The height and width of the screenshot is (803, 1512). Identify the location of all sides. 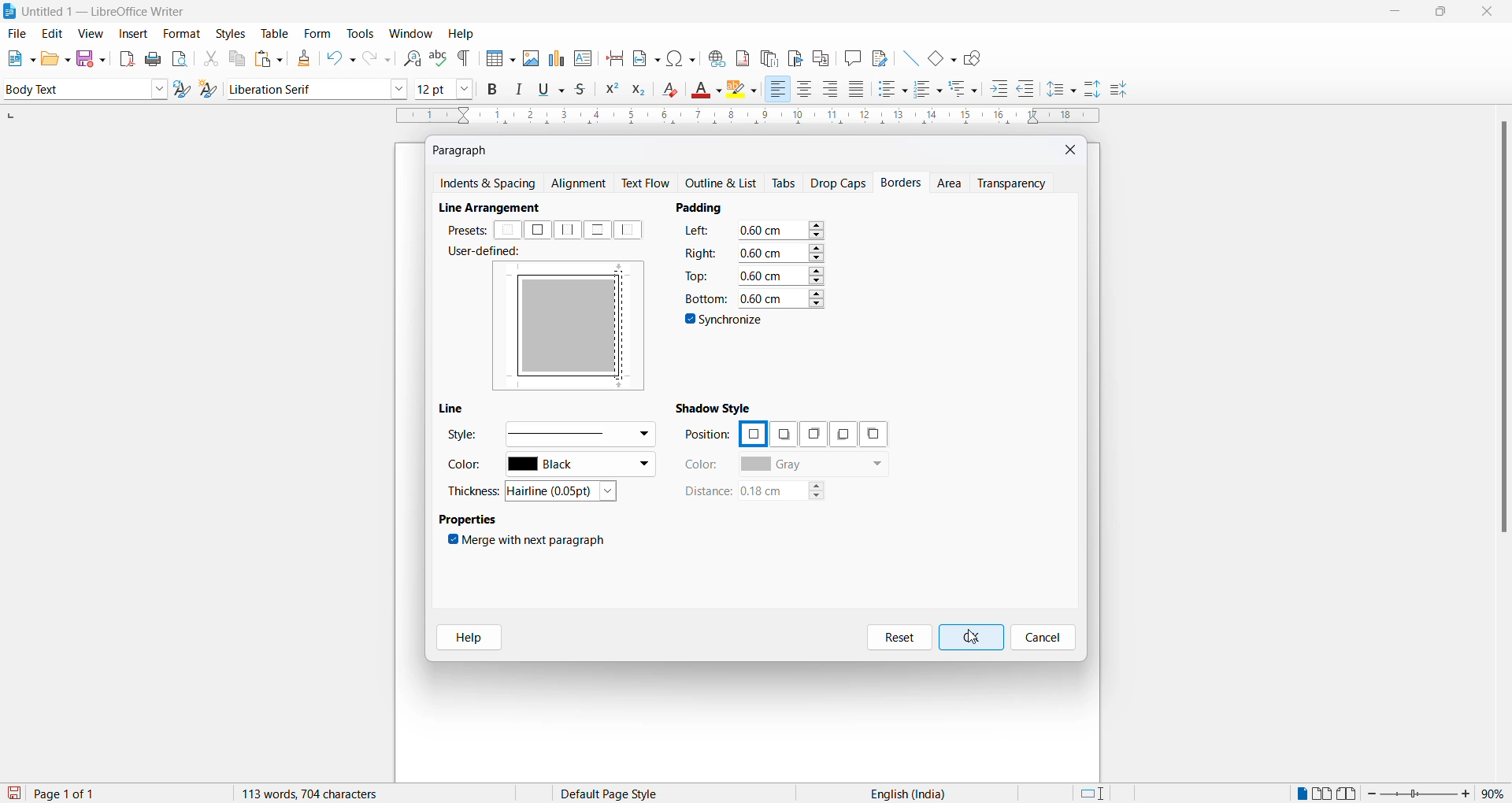
(537, 230).